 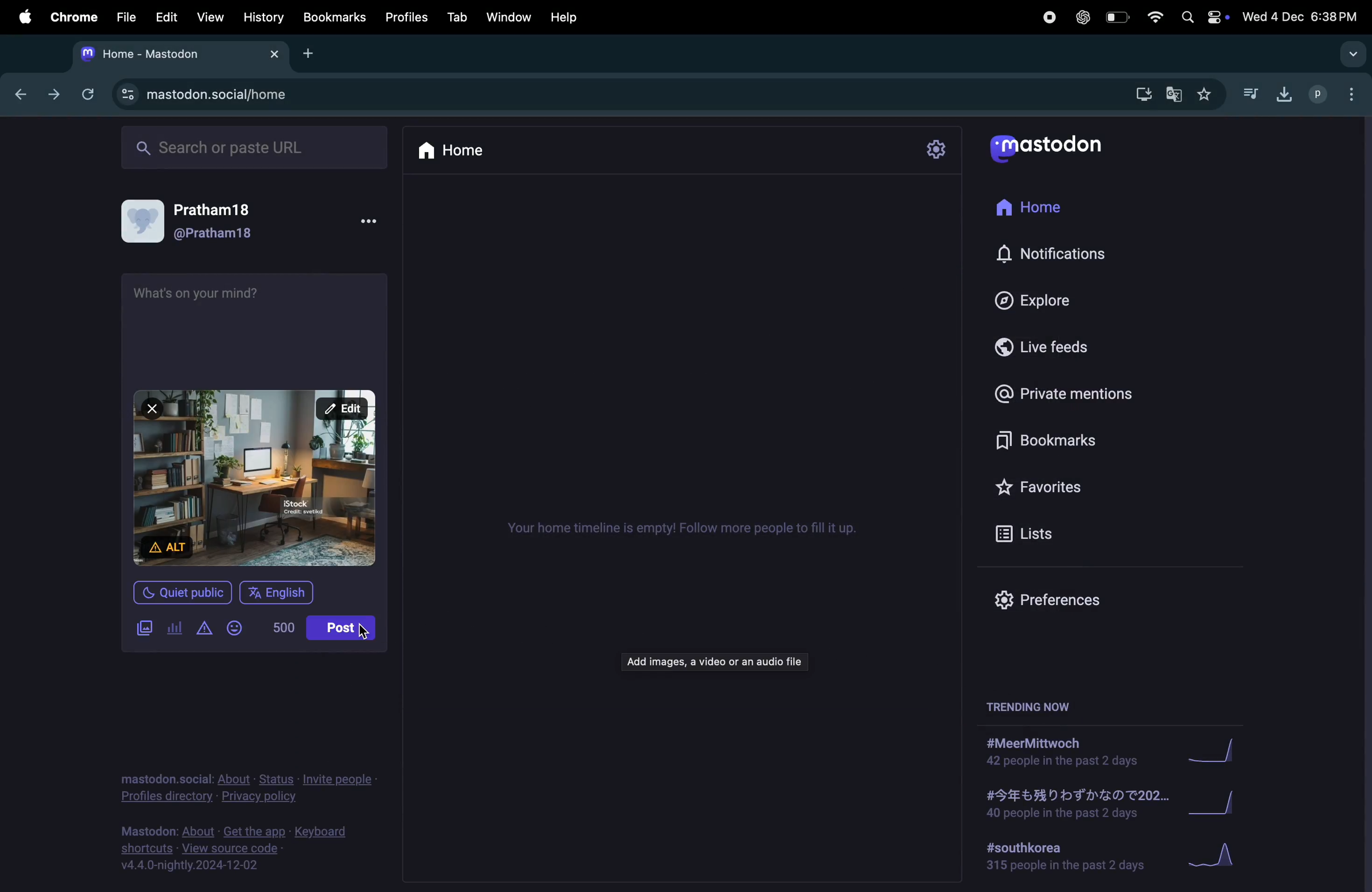 What do you see at coordinates (1301, 17) in the screenshot?
I see `date and time` at bounding box center [1301, 17].